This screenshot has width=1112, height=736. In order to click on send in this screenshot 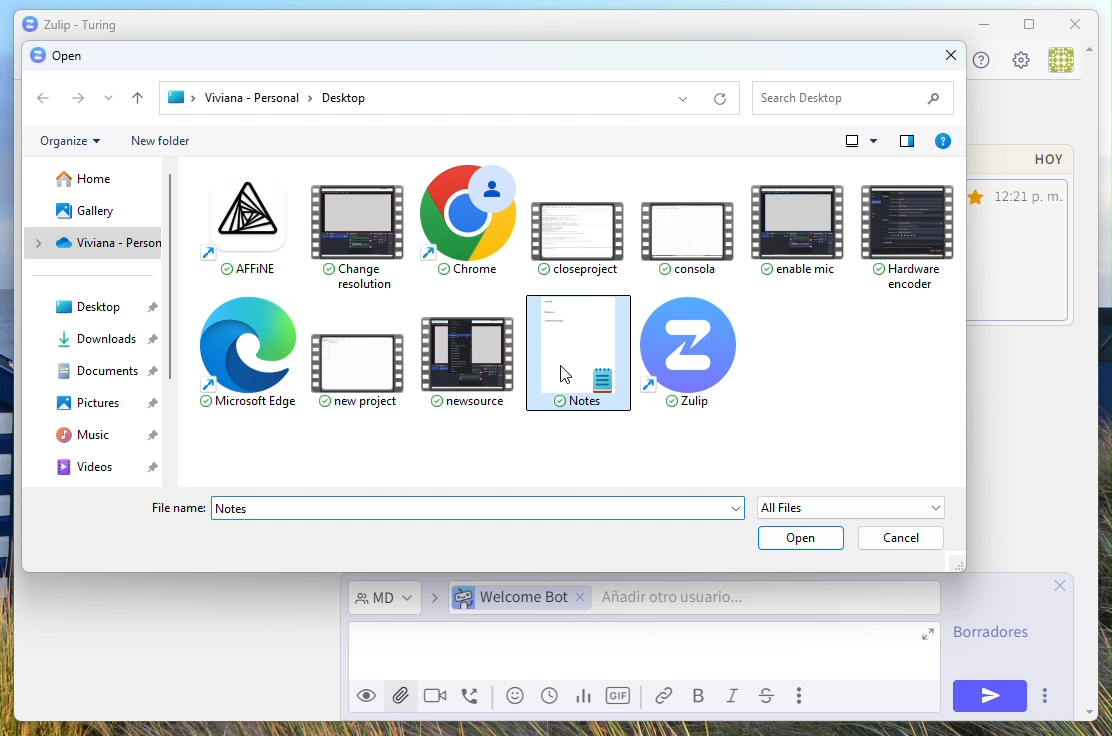, I will do `click(982, 695)`.